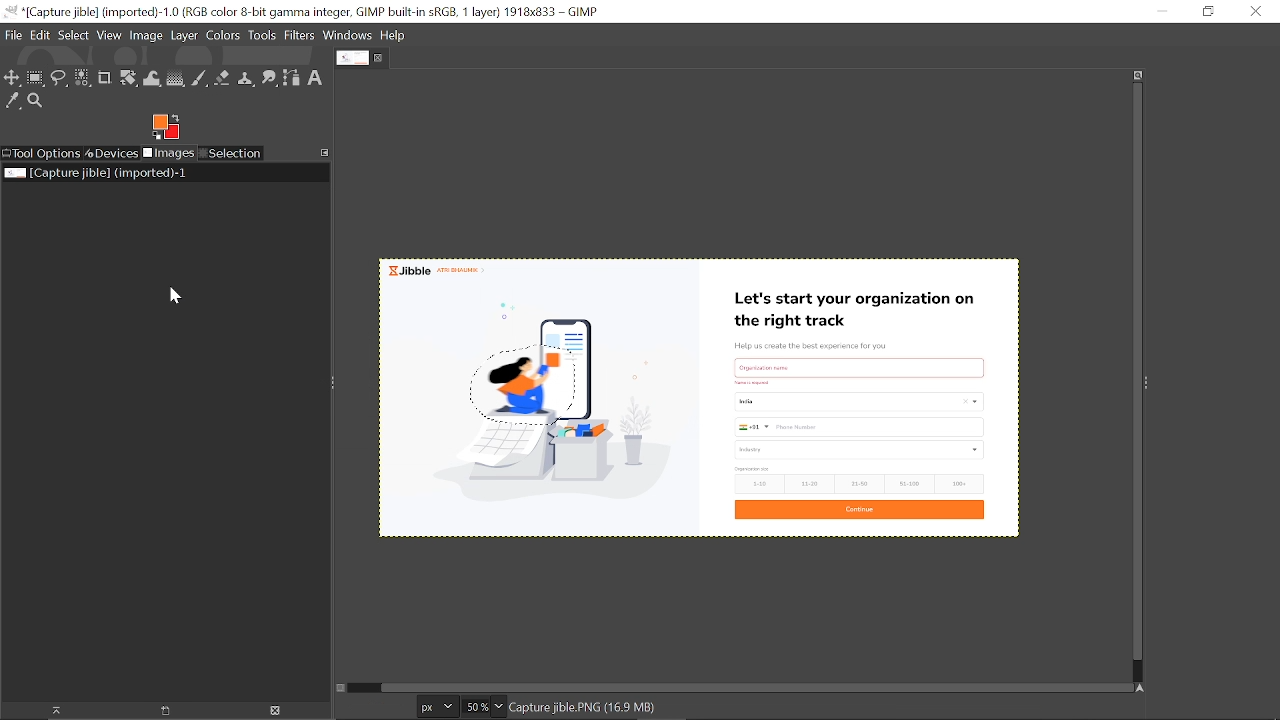 The height and width of the screenshot is (720, 1280). I want to click on Zoom options, so click(499, 706).